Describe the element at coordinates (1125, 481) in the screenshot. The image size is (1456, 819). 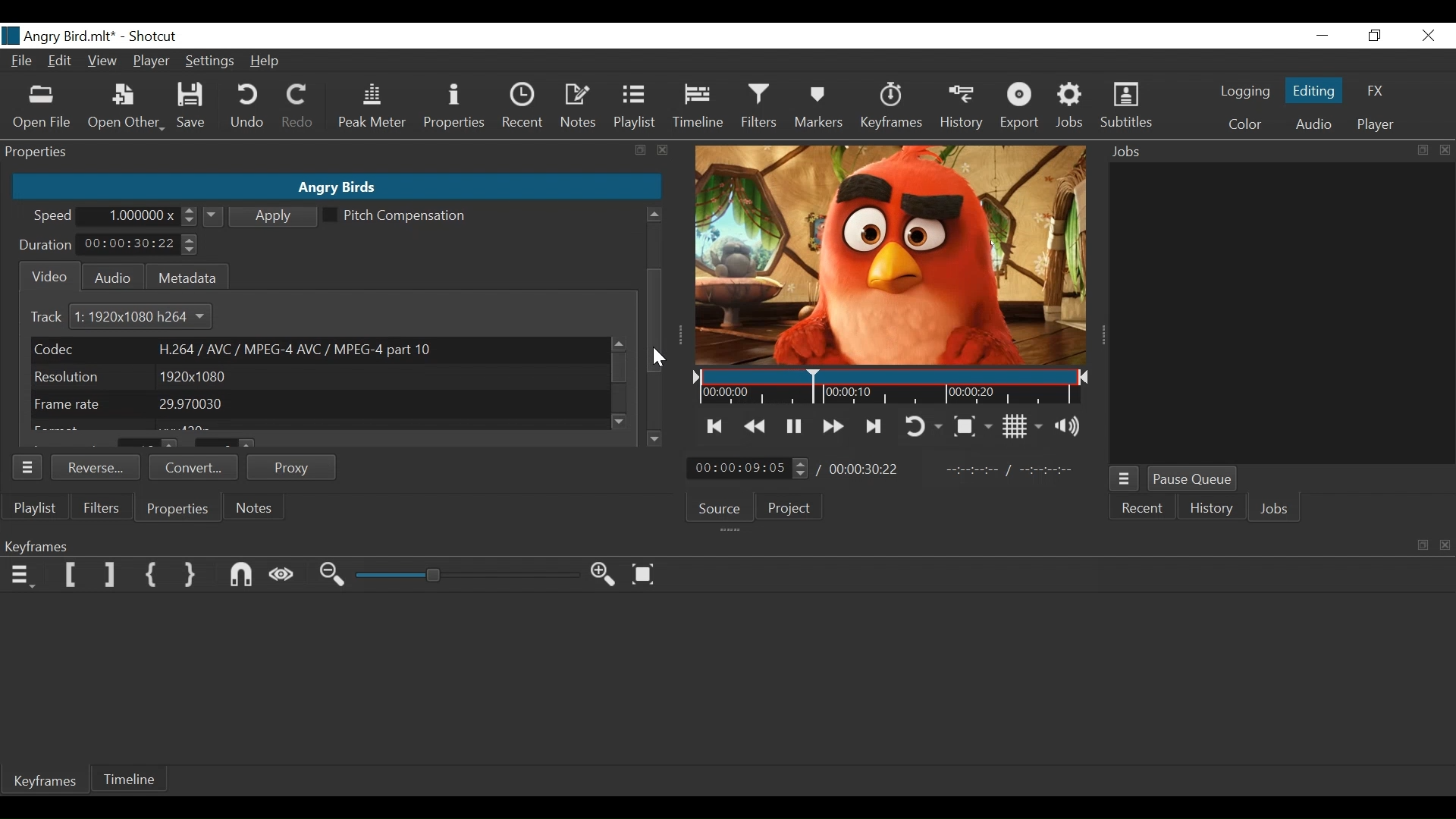
I see `Jobs Menu` at that location.